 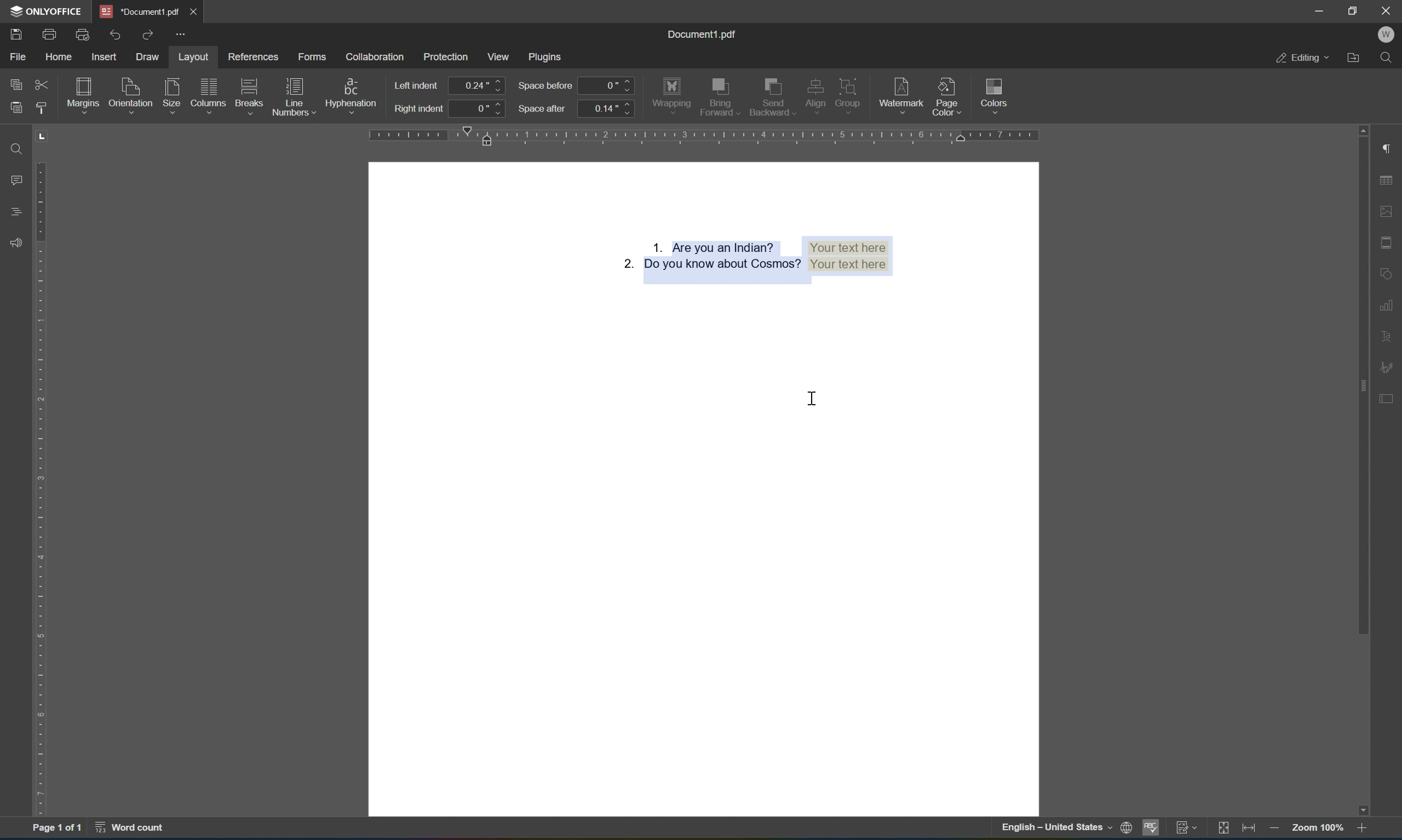 What do you see at coordinates (1353, 11) in the screenshot?
I see `restore down` at bounding box center [1353, 11].